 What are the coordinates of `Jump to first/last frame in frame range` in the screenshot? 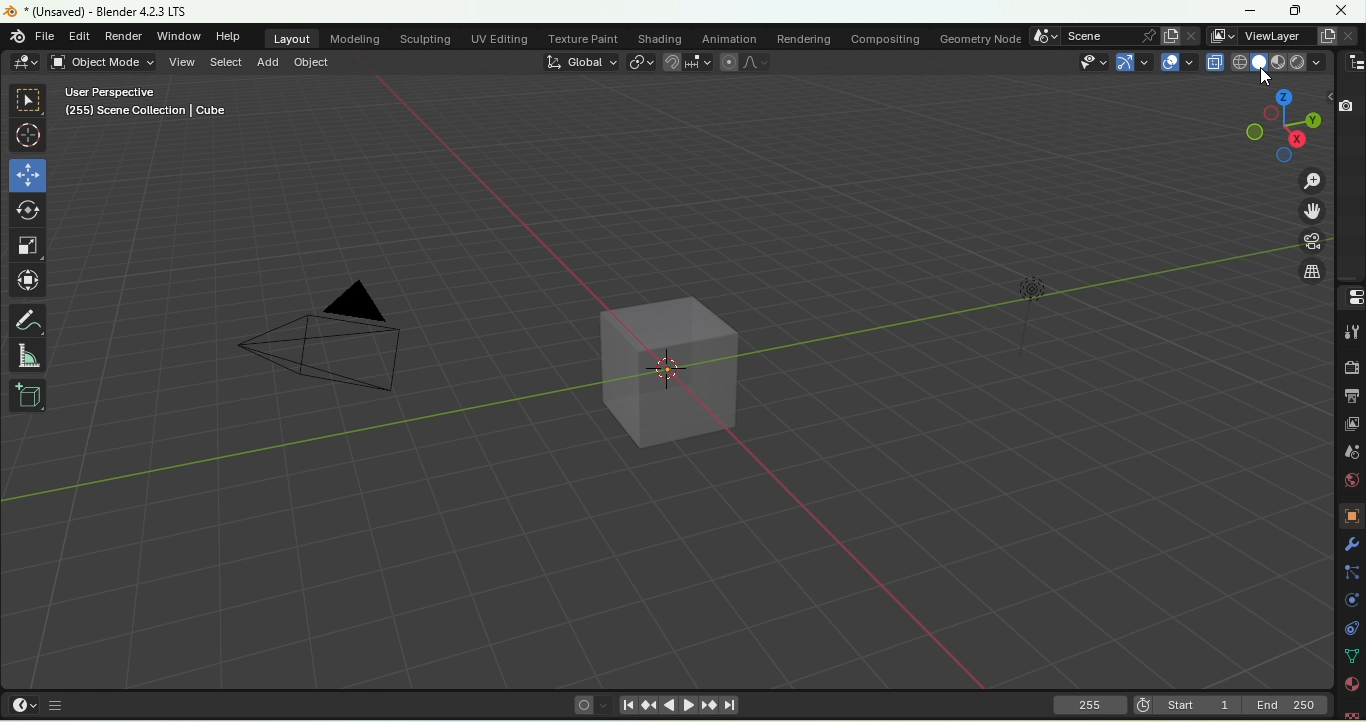 It's located at (730, 706).